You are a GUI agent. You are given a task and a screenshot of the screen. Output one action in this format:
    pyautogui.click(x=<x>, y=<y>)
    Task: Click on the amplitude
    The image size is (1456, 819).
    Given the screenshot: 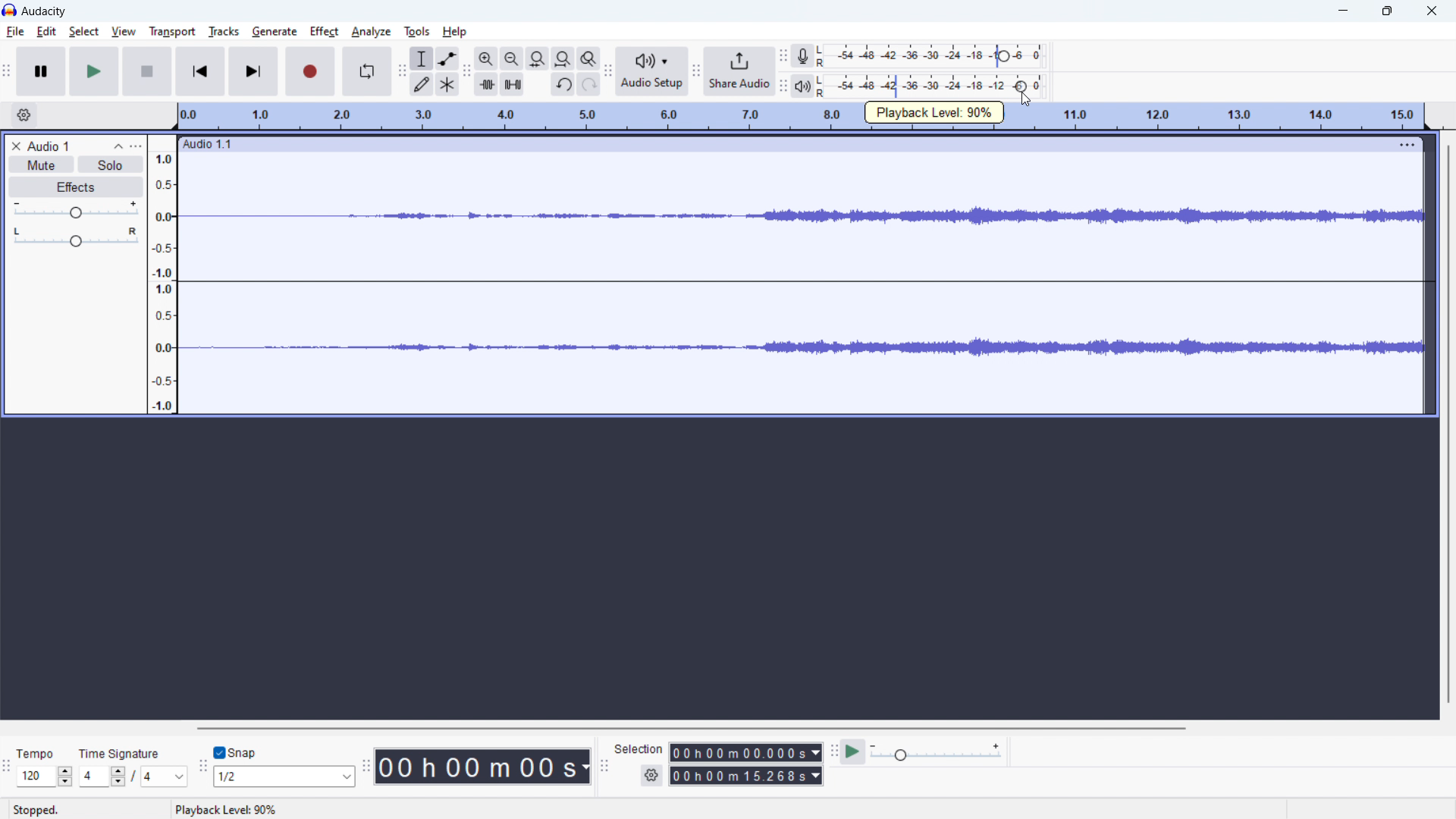 What is the action you would take?
    pyautogui.click(x=162, y=275)
    